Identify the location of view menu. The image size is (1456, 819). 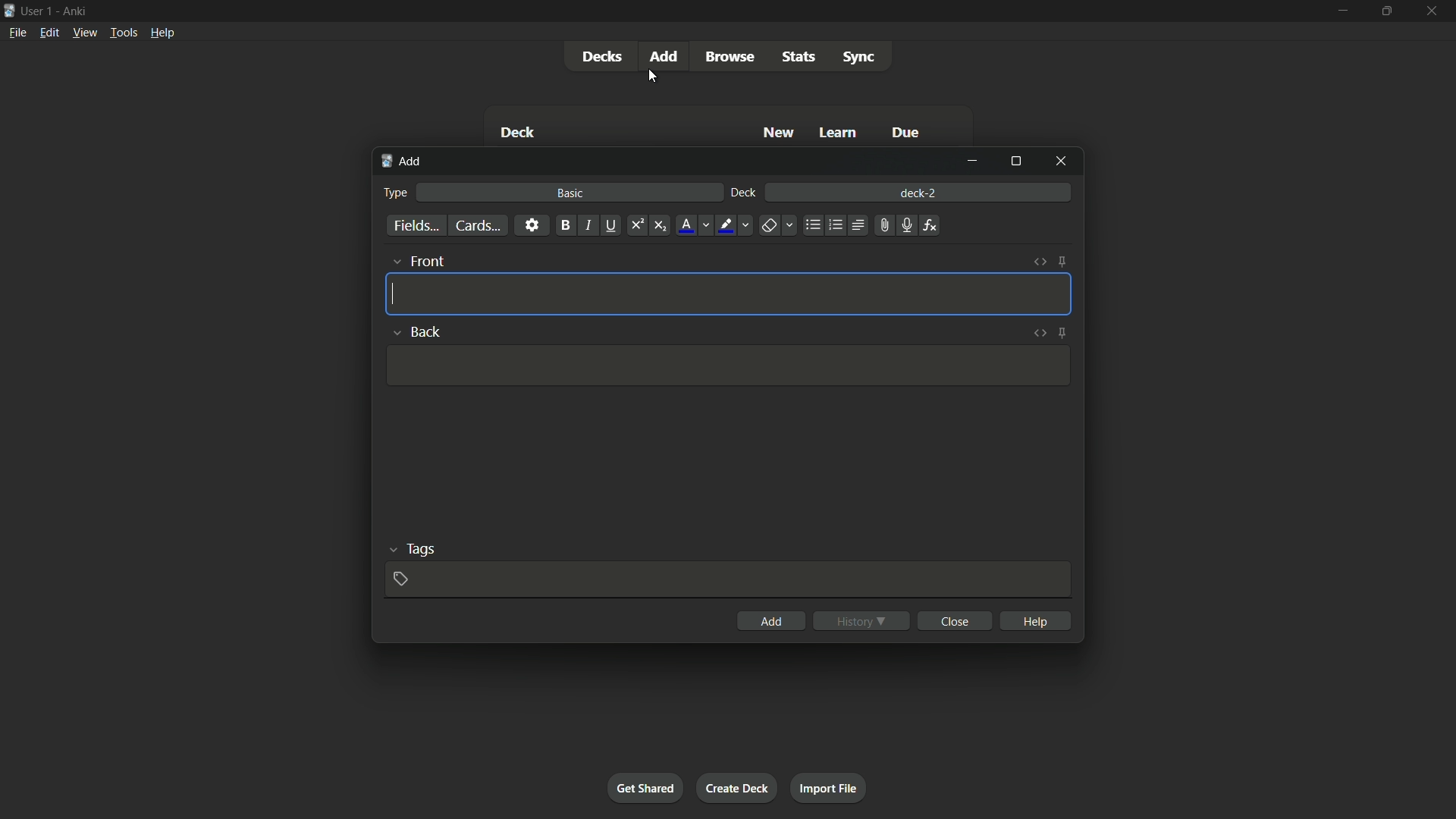
(84, 33).